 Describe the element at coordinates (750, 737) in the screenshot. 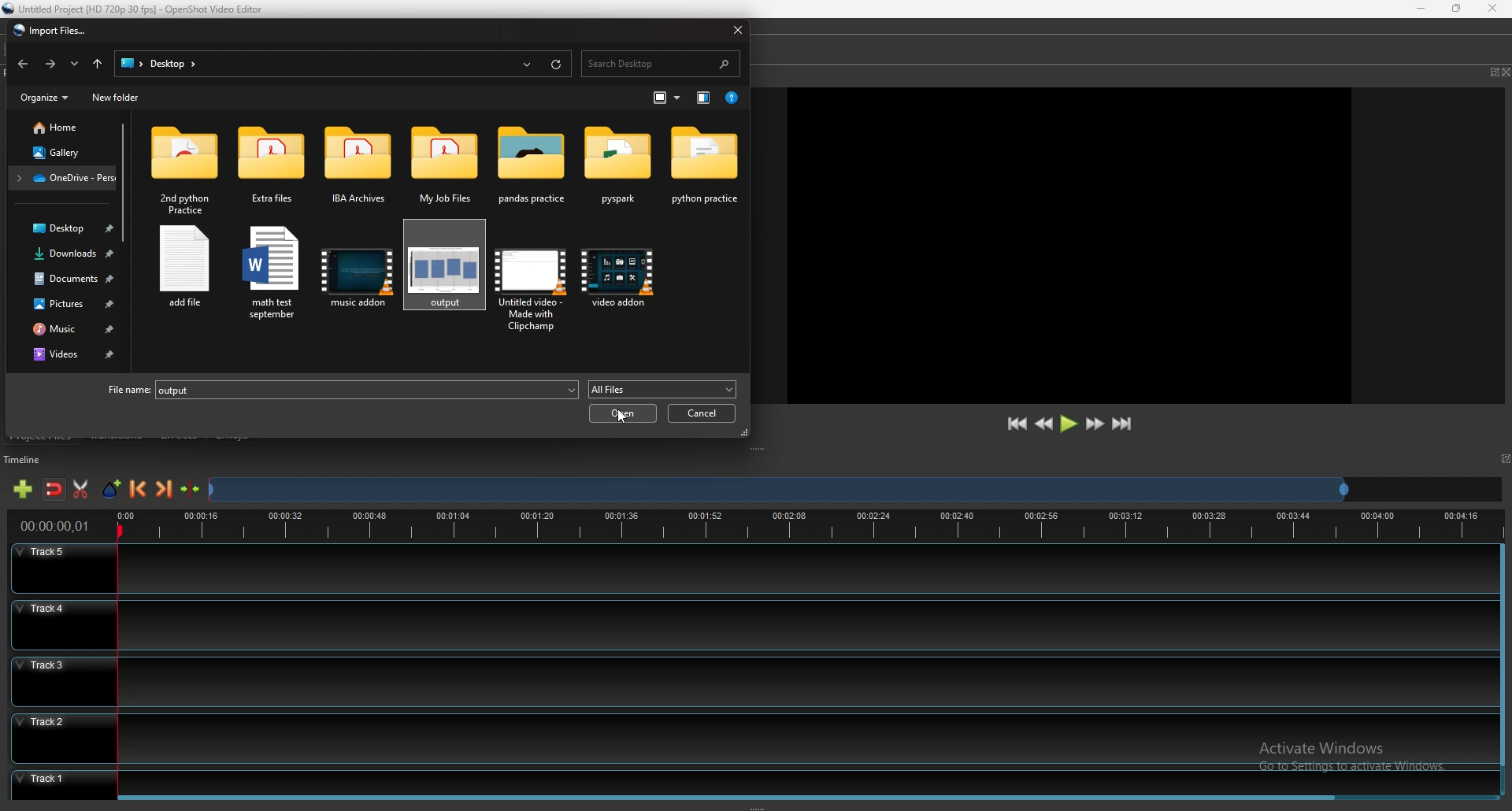

I see `track 2` at that location.